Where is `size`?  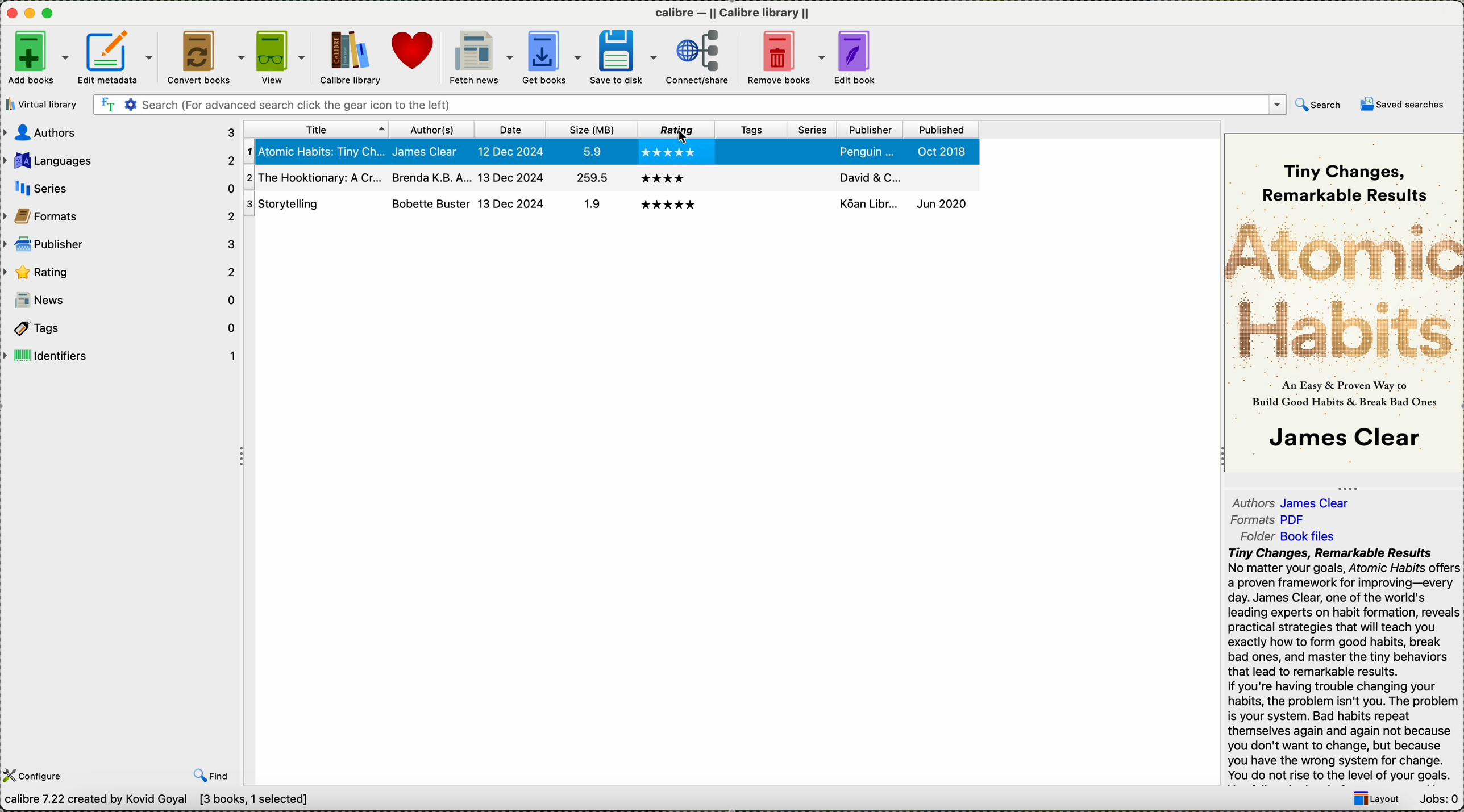 size is located at coordinates (590, 129).